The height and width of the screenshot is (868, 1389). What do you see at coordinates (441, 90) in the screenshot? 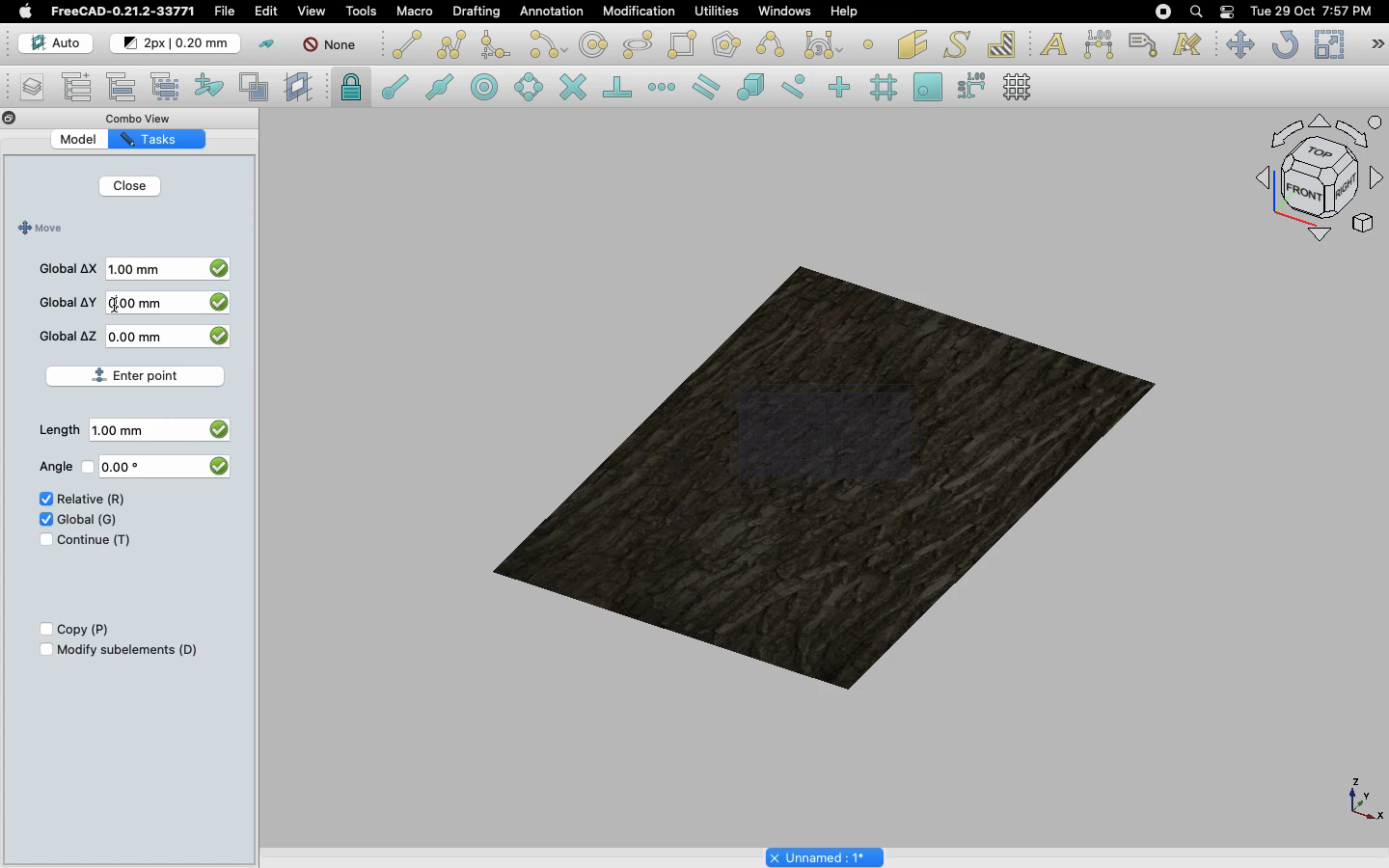
I see `Snap midpoint` at bounding box center [441, 90].